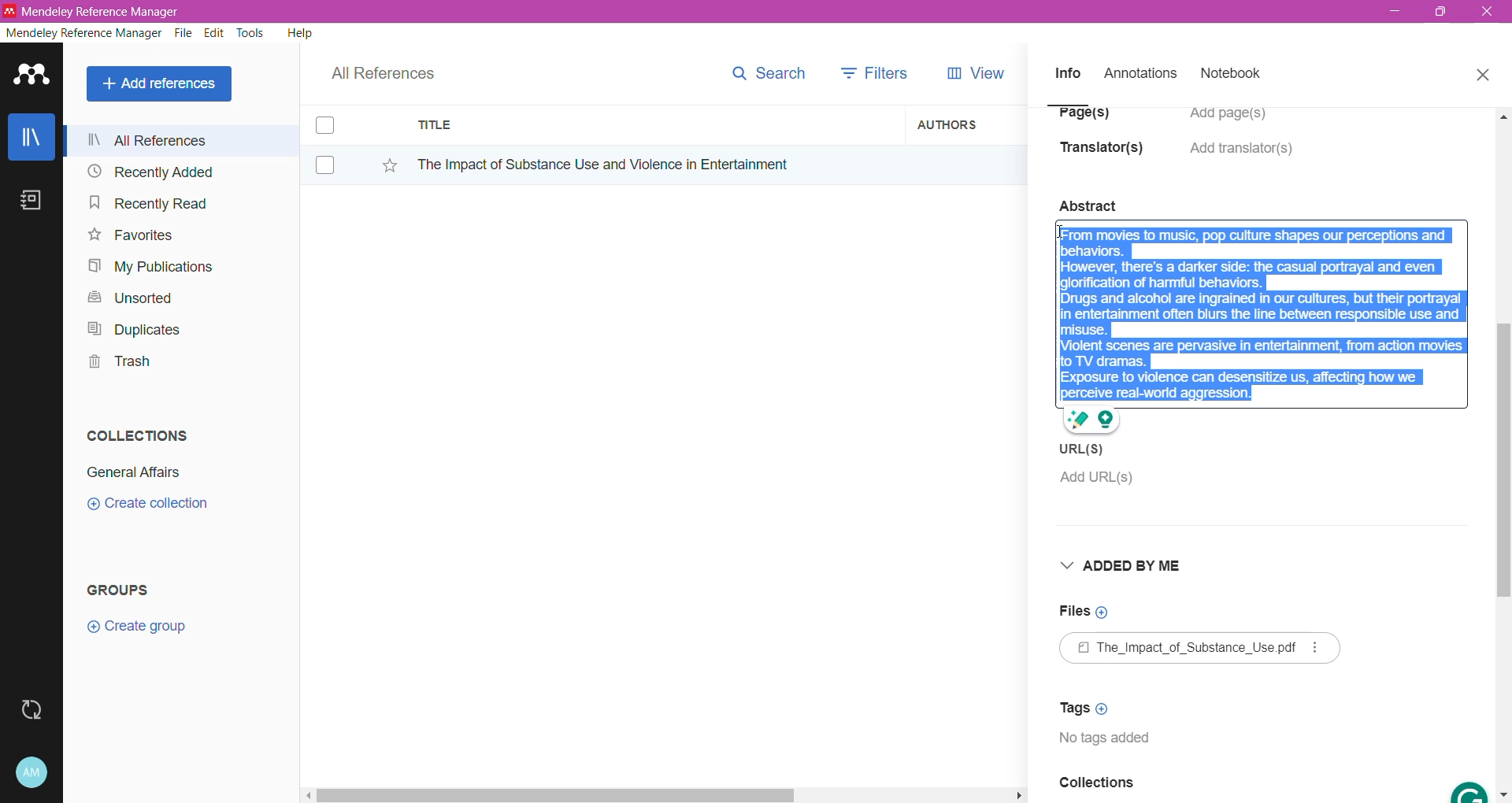 The image size is (1512, 803). What do you see at coordinates (1095, 481) in the screenshot?
I see `Click to Add URL(s)` at bounding box center [1095, 481].